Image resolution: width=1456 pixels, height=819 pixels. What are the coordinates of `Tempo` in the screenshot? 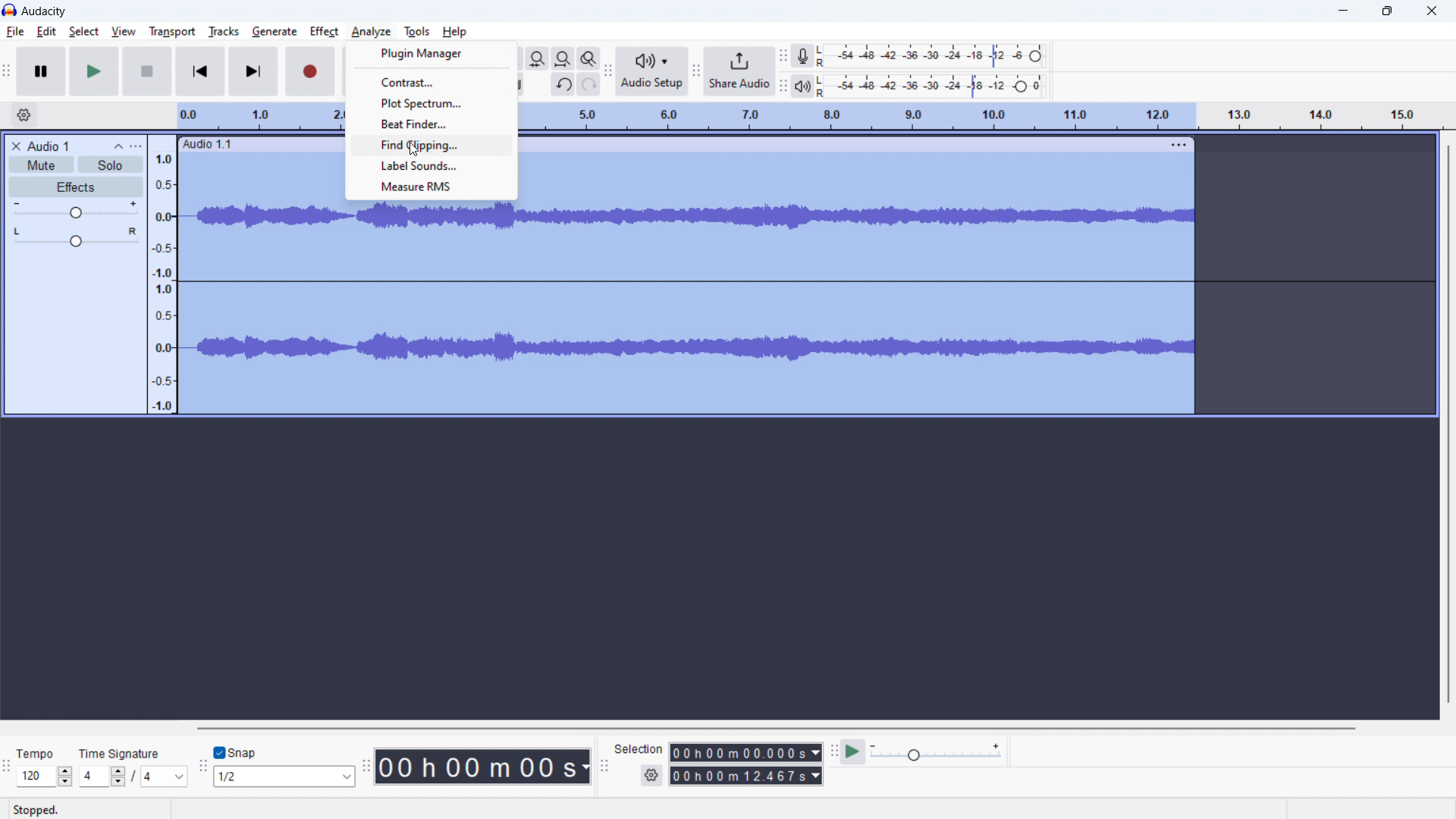 It's located at (44, 748).